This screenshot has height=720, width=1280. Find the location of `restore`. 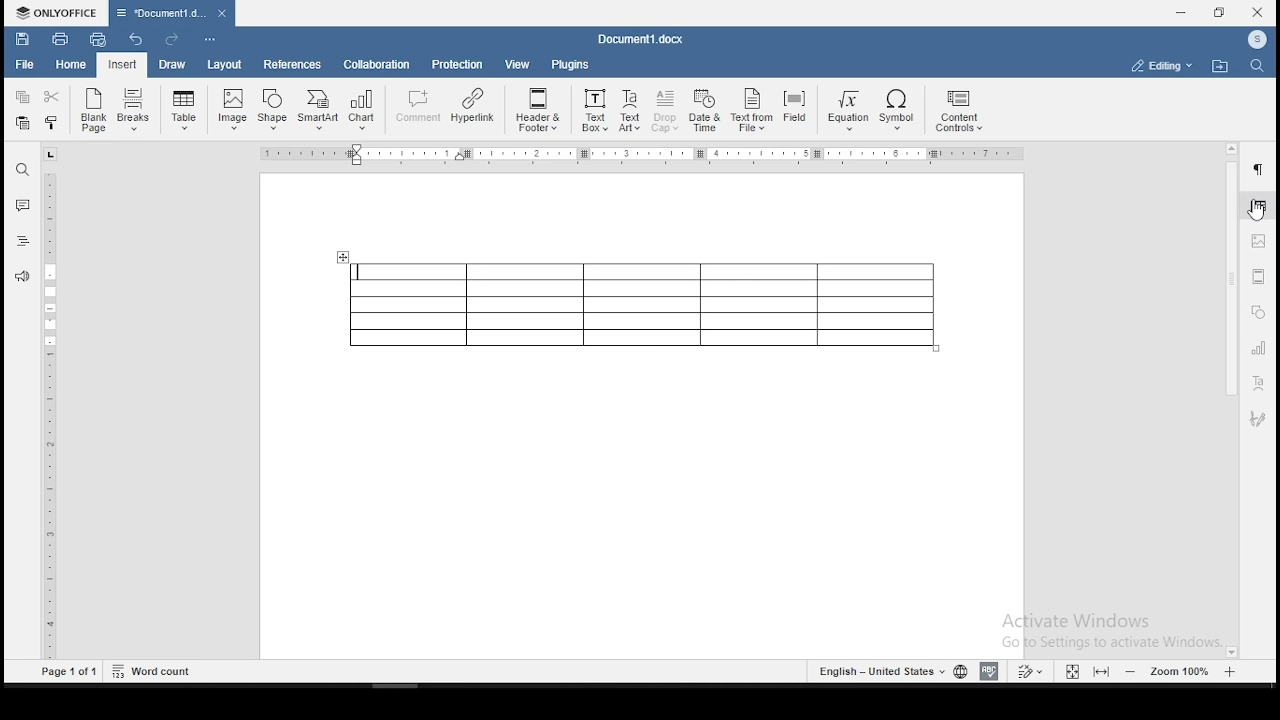

restore is located at coordinates (1219, 13).